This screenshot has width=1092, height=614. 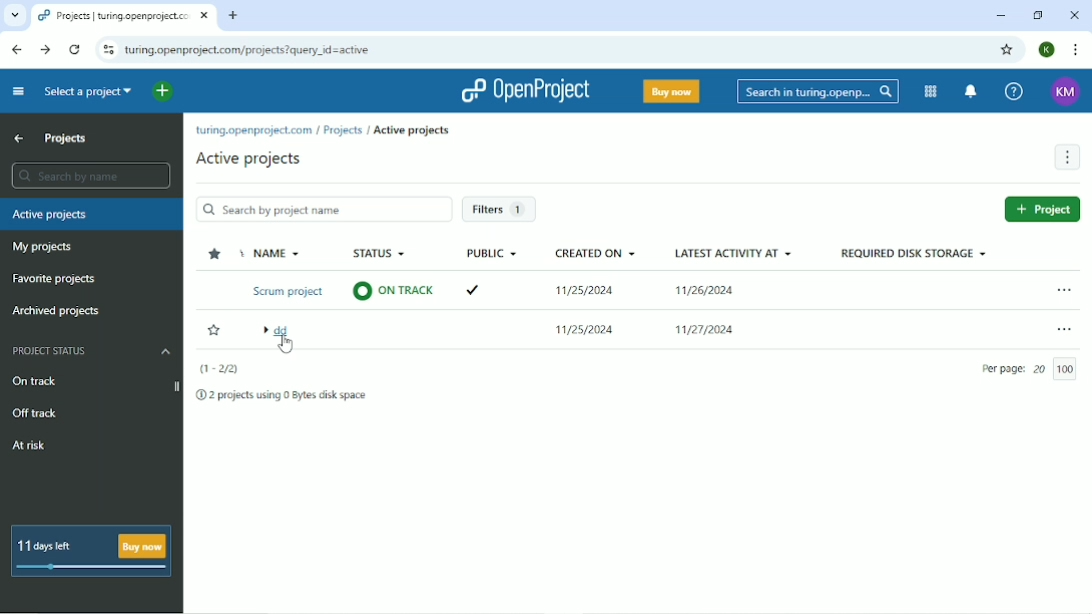 I want to click on 2 projects using 0 bytes disk space, so click(x=284, y=398).